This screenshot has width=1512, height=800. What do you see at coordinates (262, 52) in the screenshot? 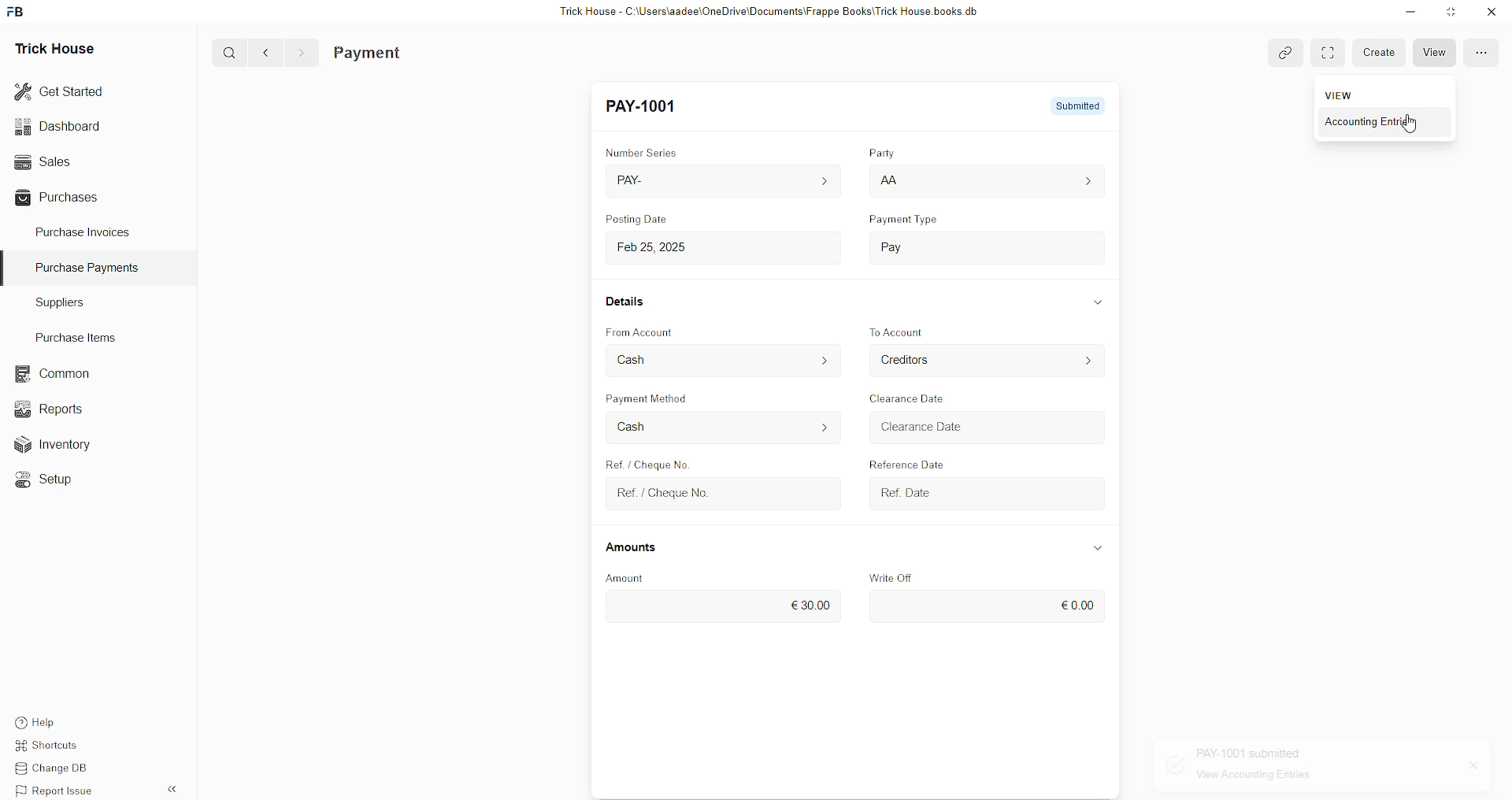
I see `<` at bounding box center [262, 52].